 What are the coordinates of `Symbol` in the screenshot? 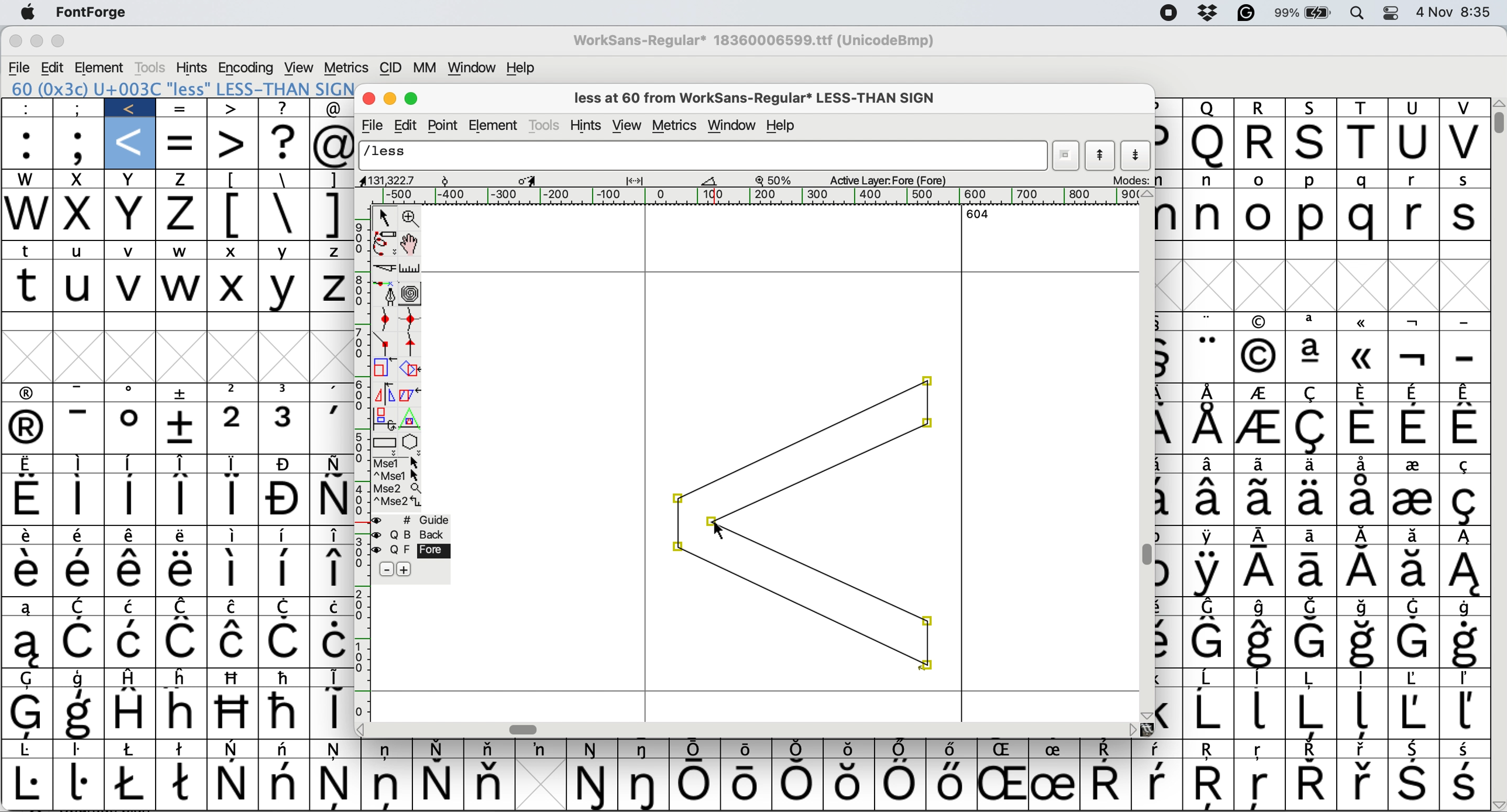 It's located at (1412, 501).